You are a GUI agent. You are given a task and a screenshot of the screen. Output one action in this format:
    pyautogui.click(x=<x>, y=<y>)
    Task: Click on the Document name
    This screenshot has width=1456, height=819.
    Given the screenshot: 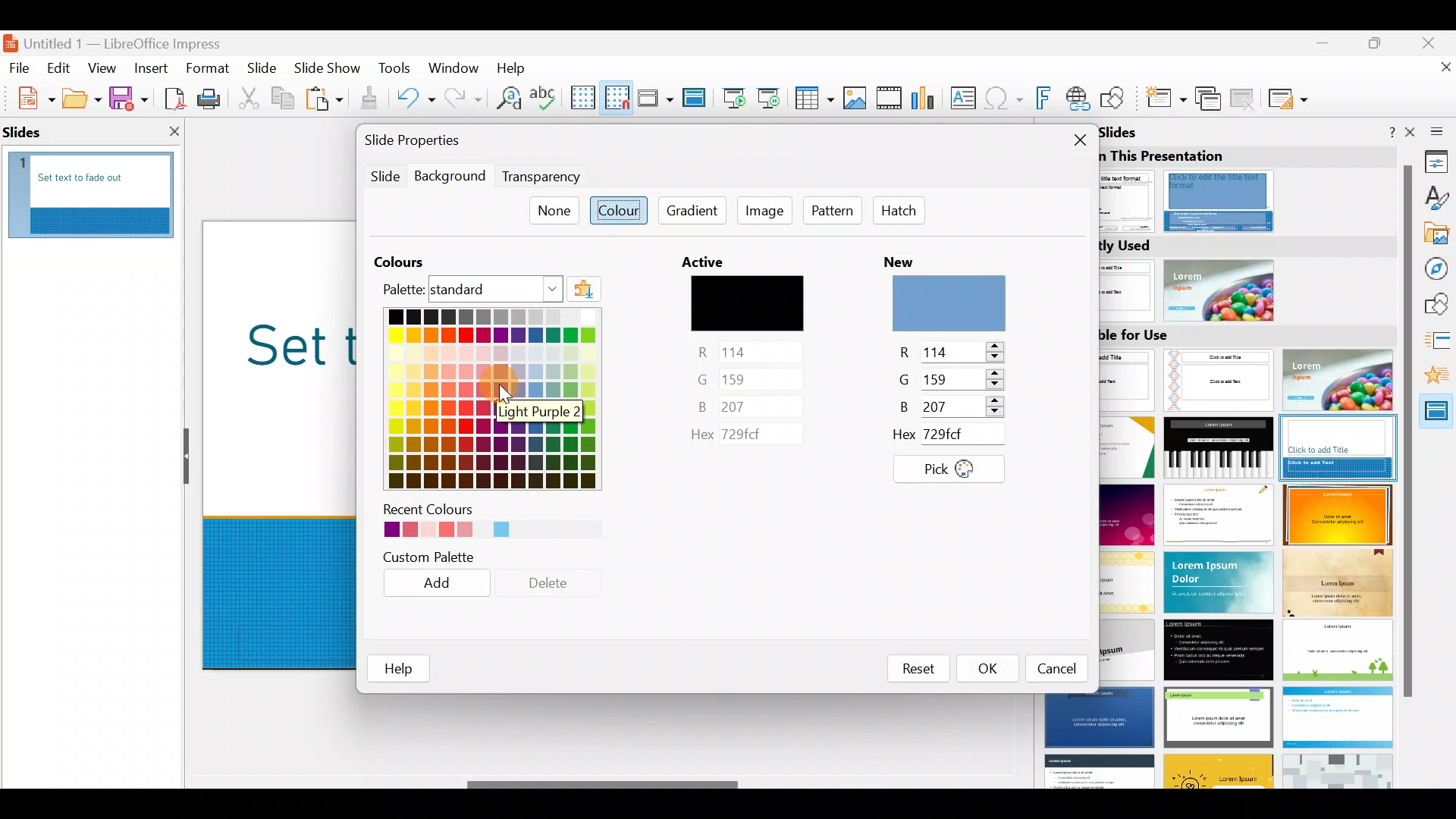 What is the action you would take?
    pyautogui.click(x=124, y=39)
    